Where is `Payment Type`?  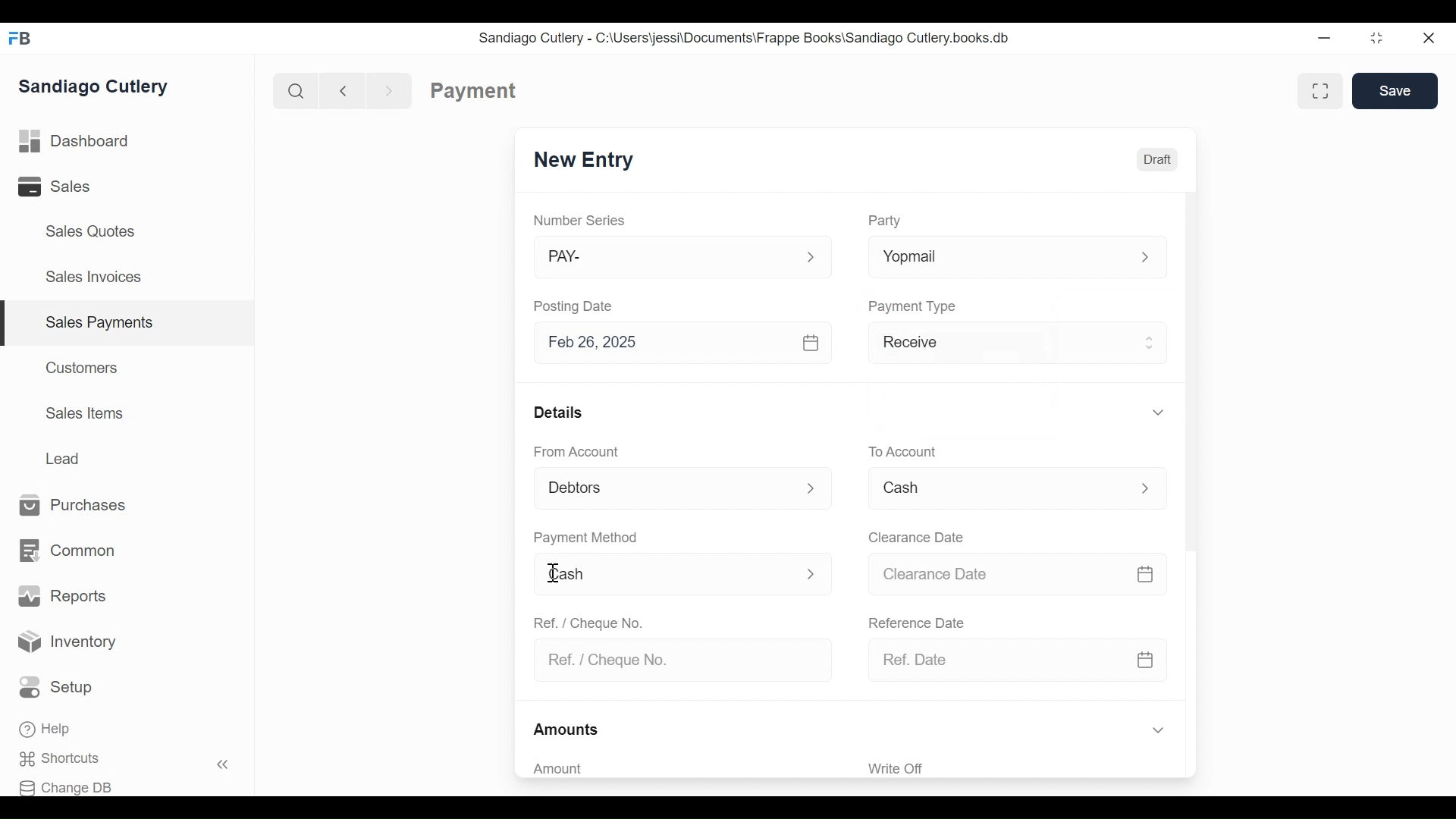
Payment Type is located at coordinates (913, 306).